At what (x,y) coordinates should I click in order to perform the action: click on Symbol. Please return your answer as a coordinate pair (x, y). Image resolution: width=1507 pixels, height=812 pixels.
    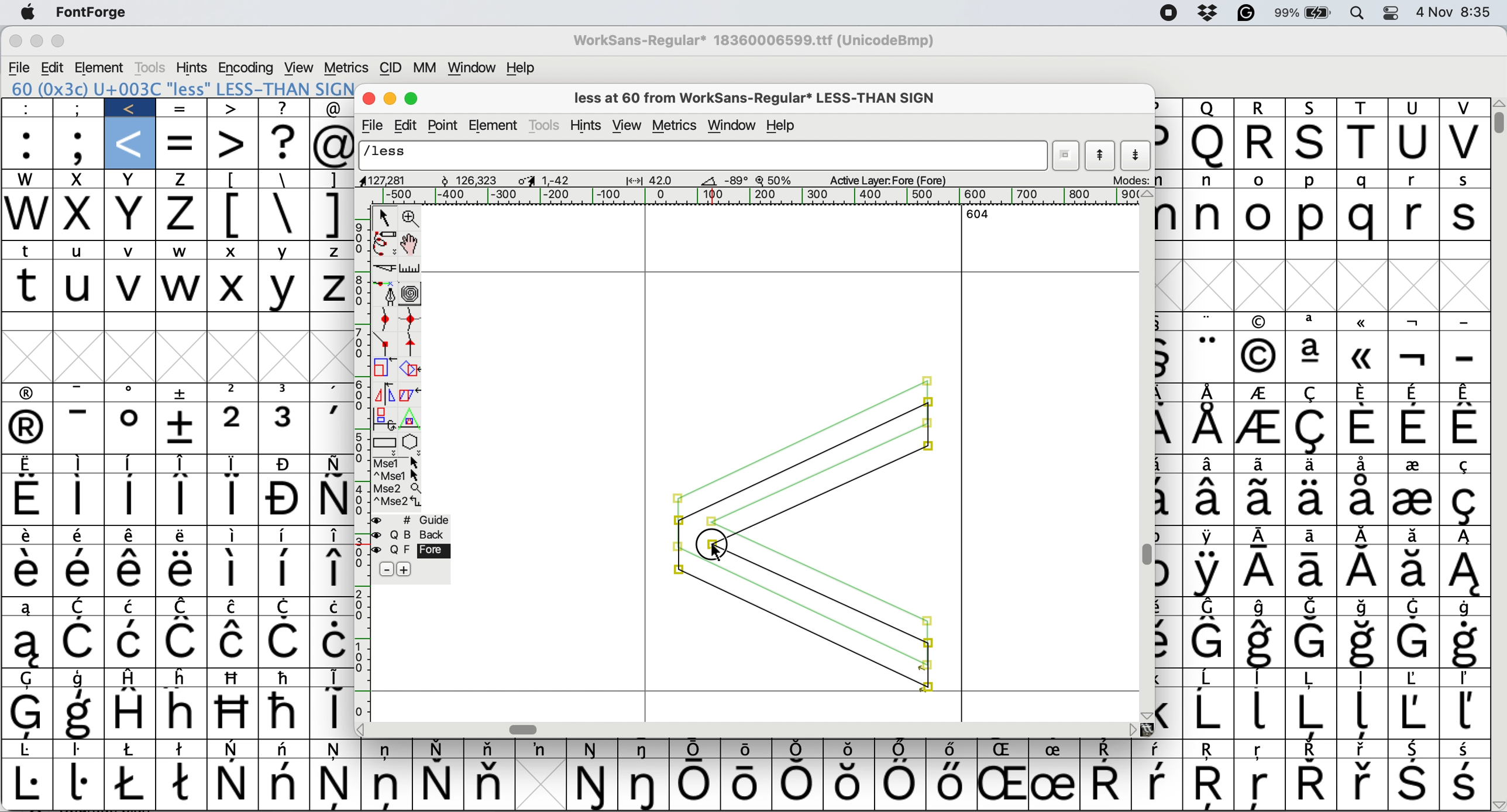
    Looking at the image, I should click on (1312, 430).